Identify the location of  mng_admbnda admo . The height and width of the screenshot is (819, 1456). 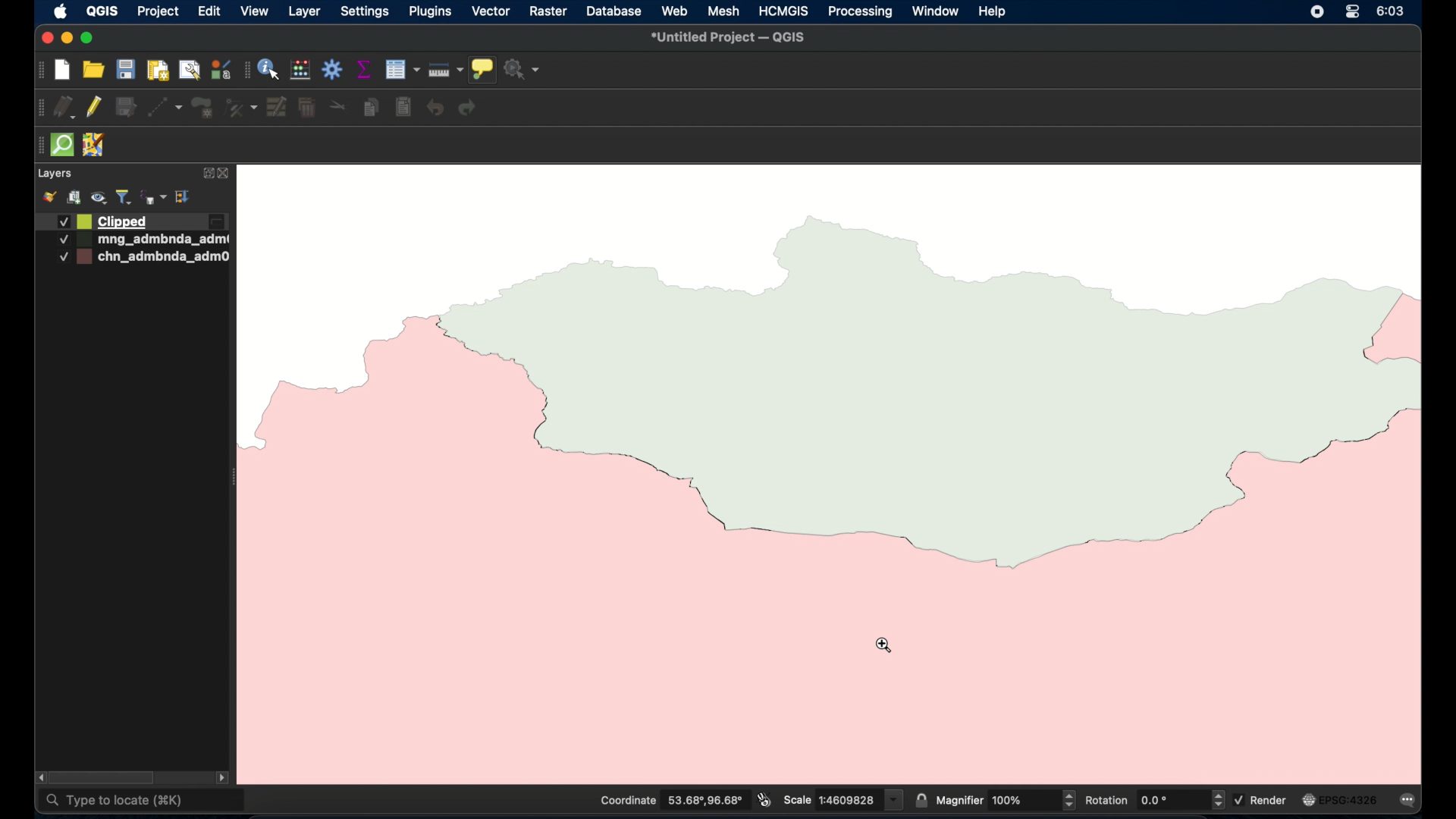
(140, 240).